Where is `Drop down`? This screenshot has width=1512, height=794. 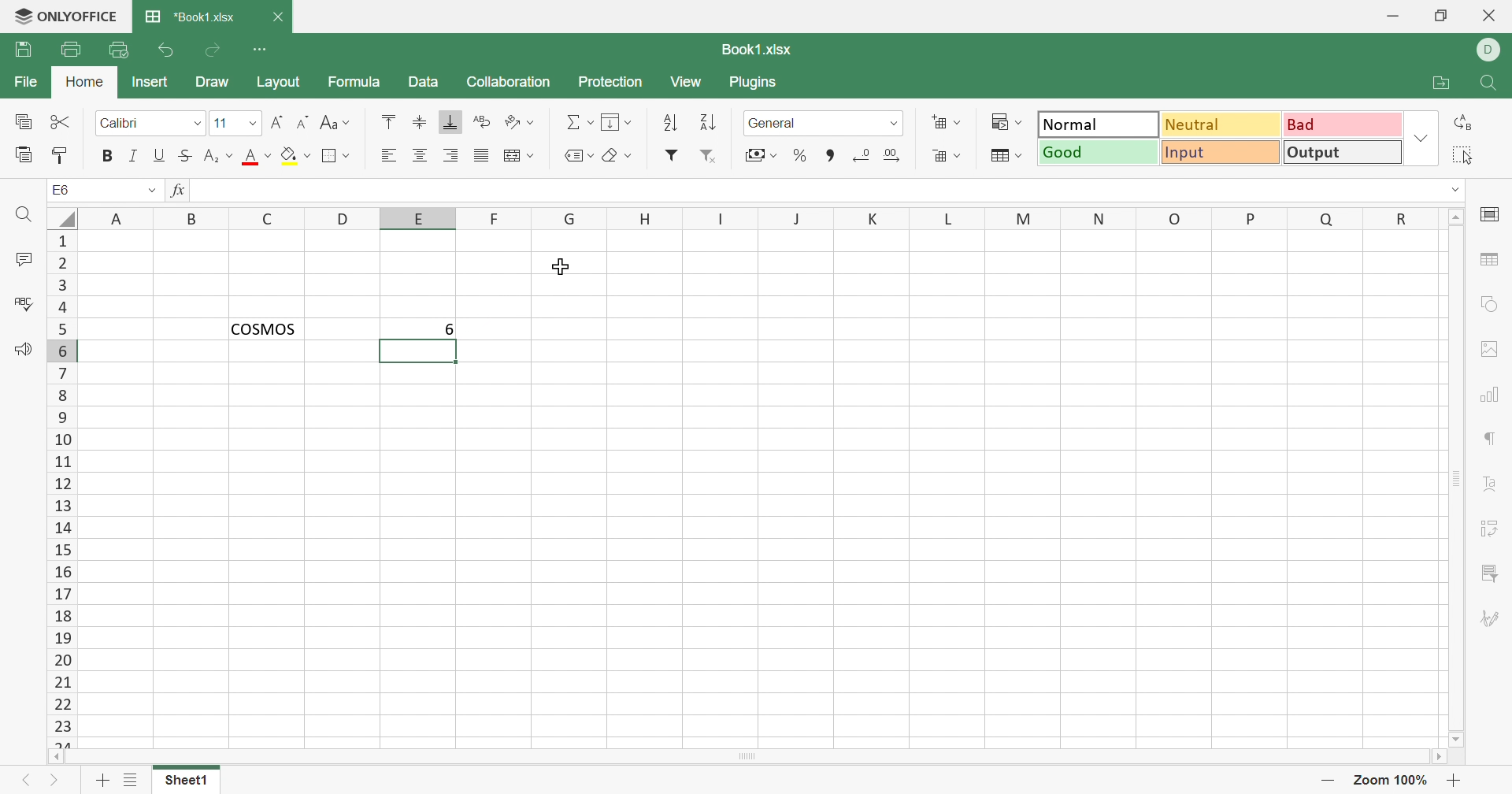 Drop down is located at coordinates (895, 124).